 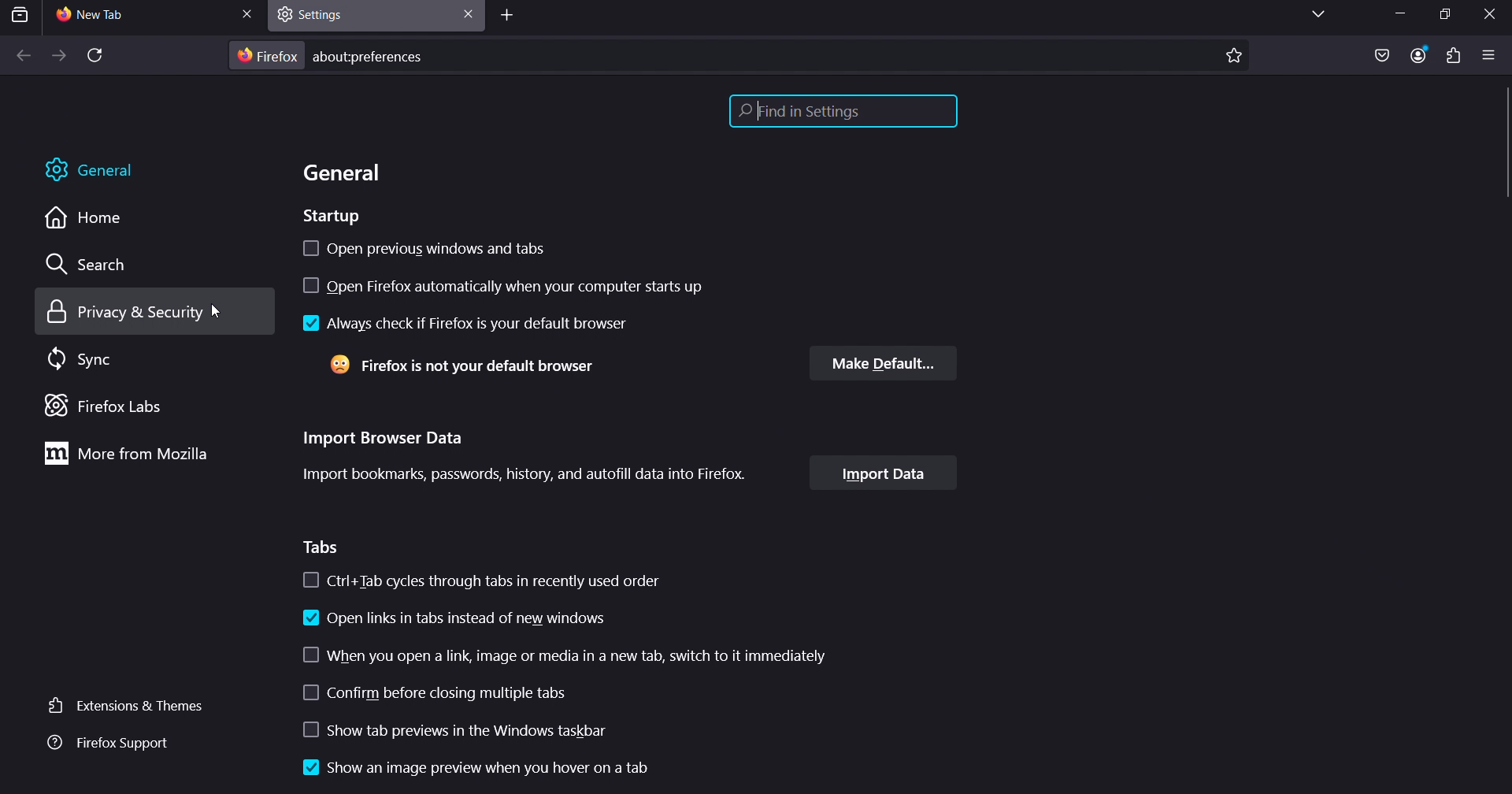 What do you see at coordinates (268, 57) in the screenshot?
I see `Firefox` at bounding box center [268, 57].